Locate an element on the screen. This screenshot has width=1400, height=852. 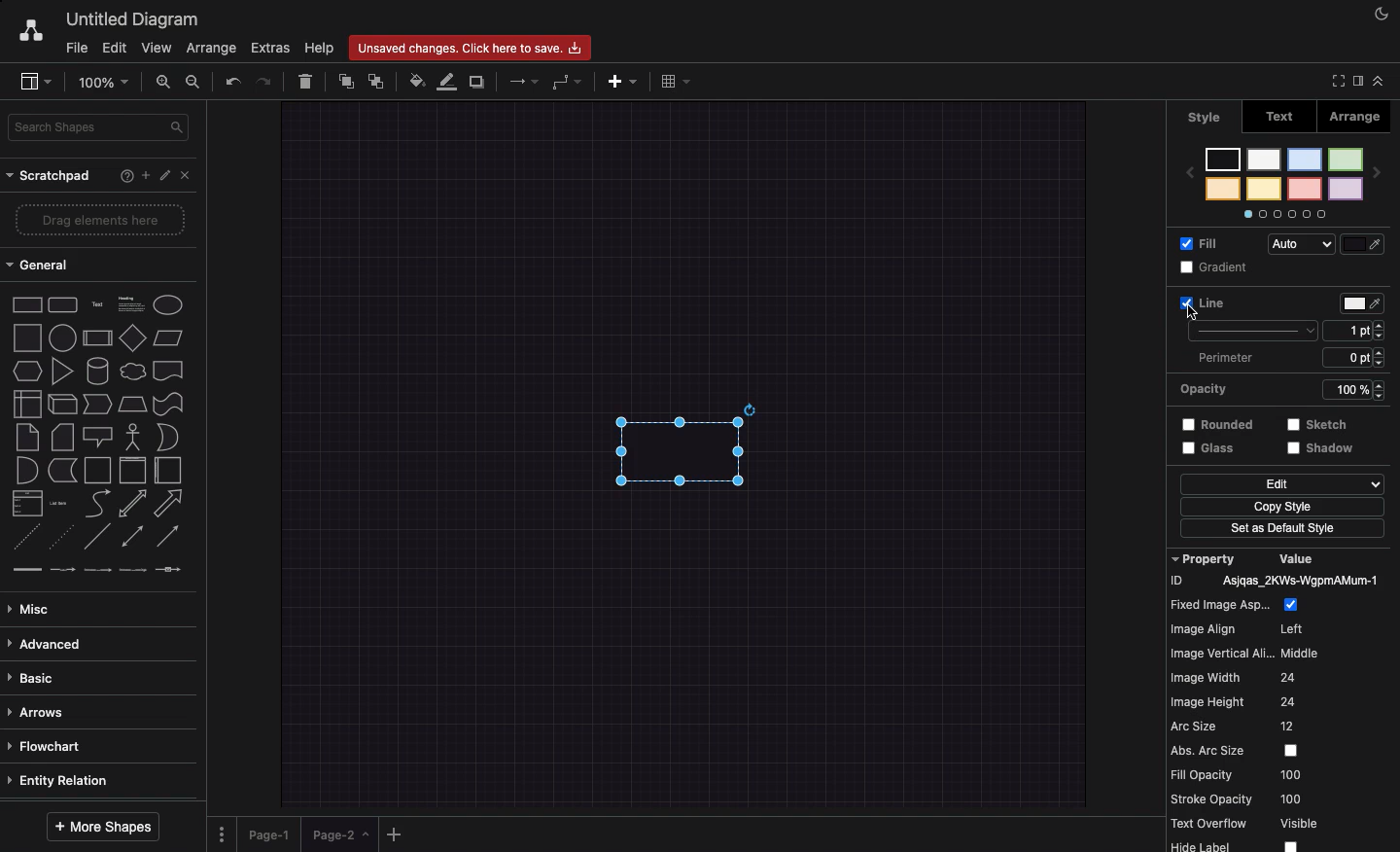
Help is located at coordinates (320, 48).